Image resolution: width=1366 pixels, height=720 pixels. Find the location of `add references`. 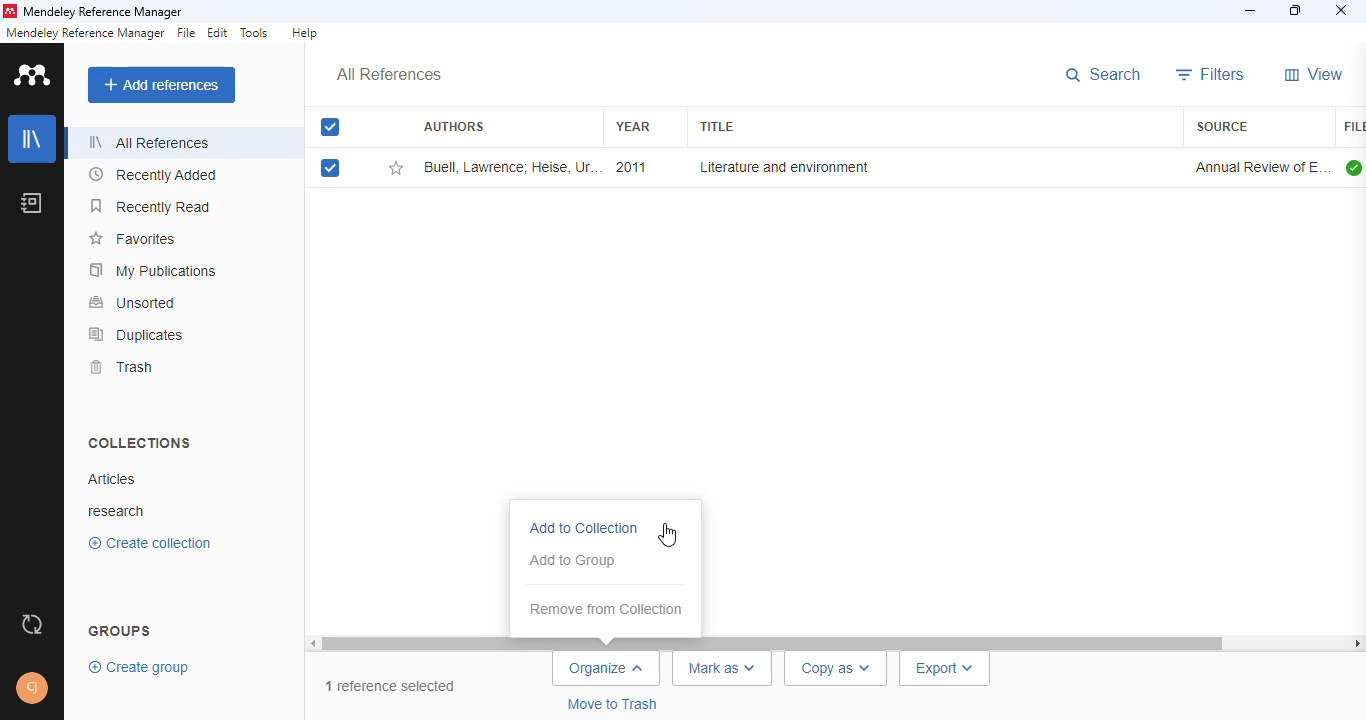

add references is located at coordinates (161, 85).